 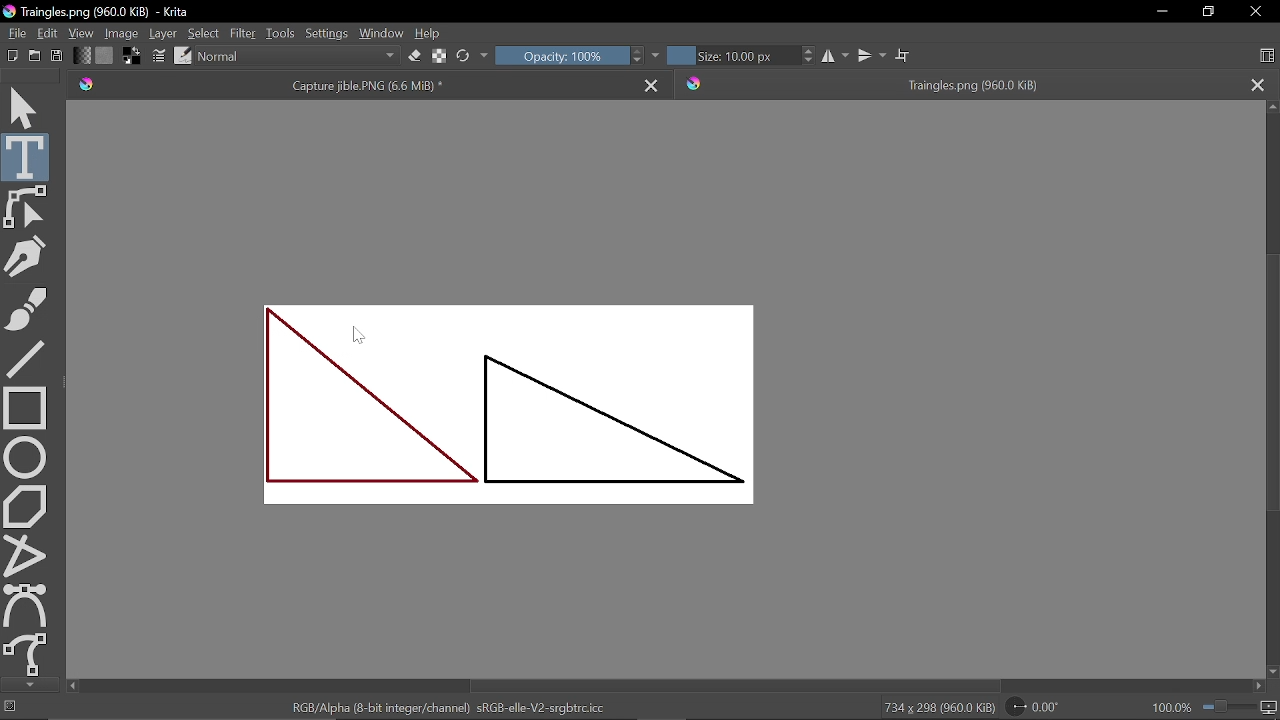 I want to click on Freehand path tool, so click(x=27, y=655).